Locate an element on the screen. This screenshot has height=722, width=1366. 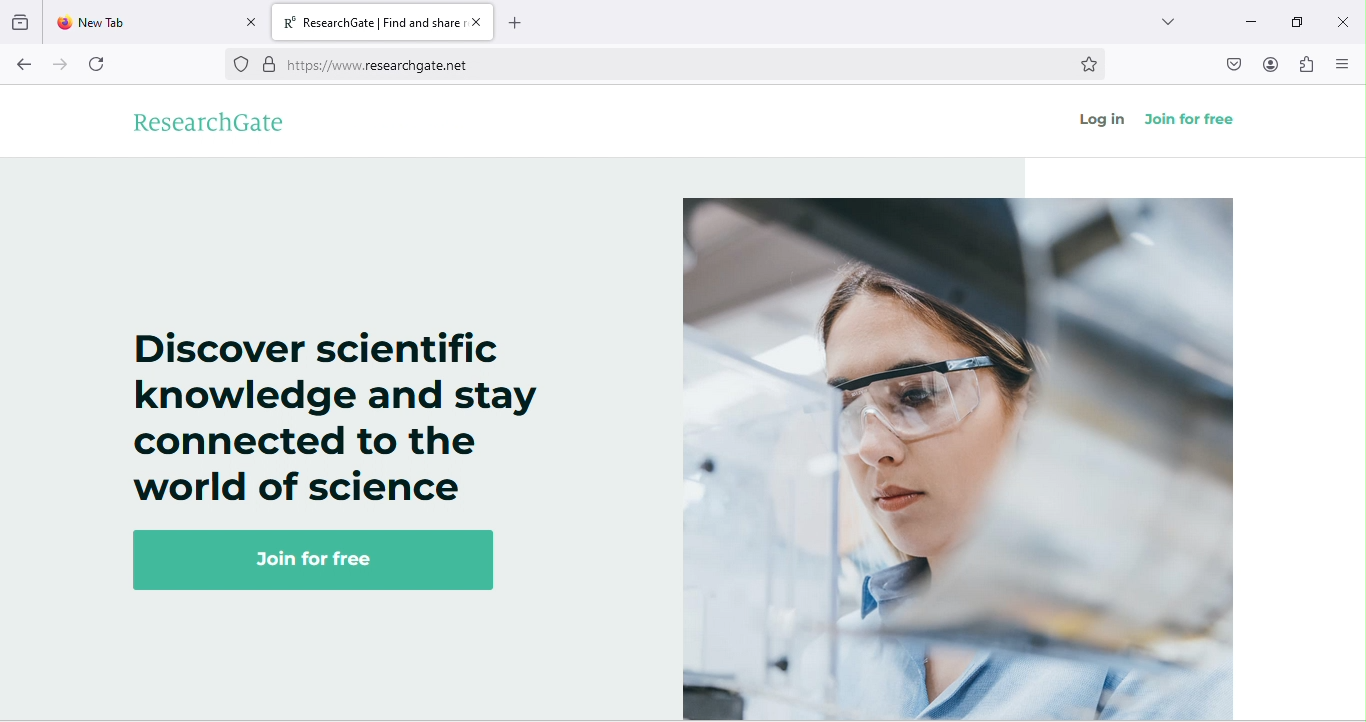
search tab is located at coordinates (1175, 26).